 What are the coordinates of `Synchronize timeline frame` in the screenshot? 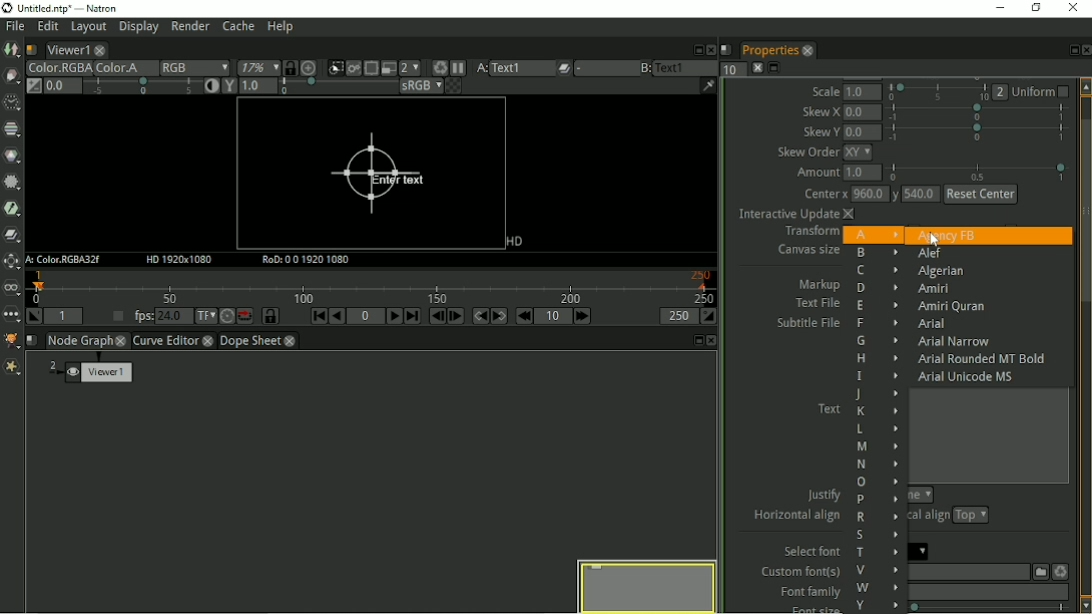 It's located at (271, 316).